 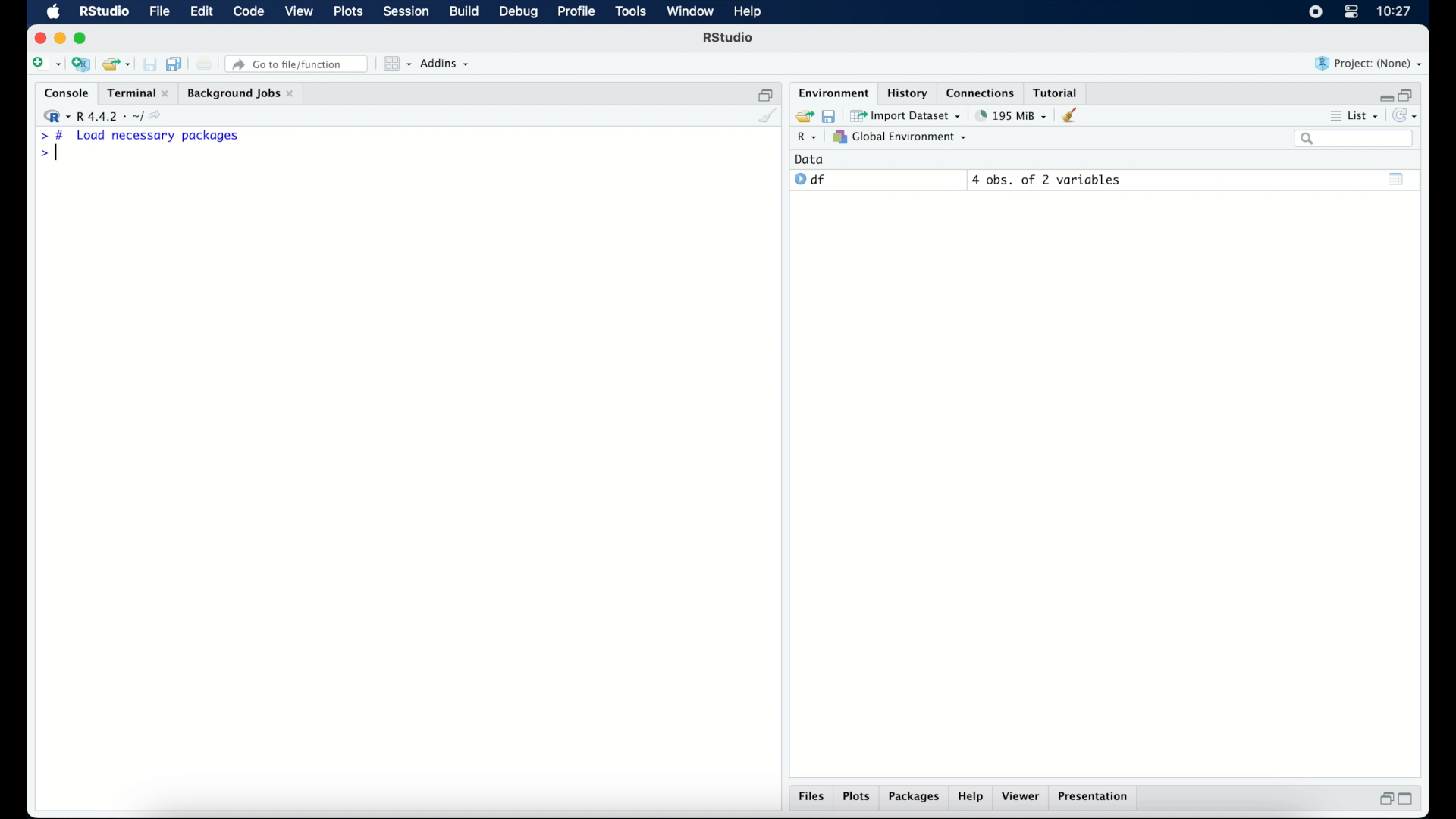 What do you see at coordinates (519, 13) in the screenshot?
I see `debug` at bounding box center [519, 13].